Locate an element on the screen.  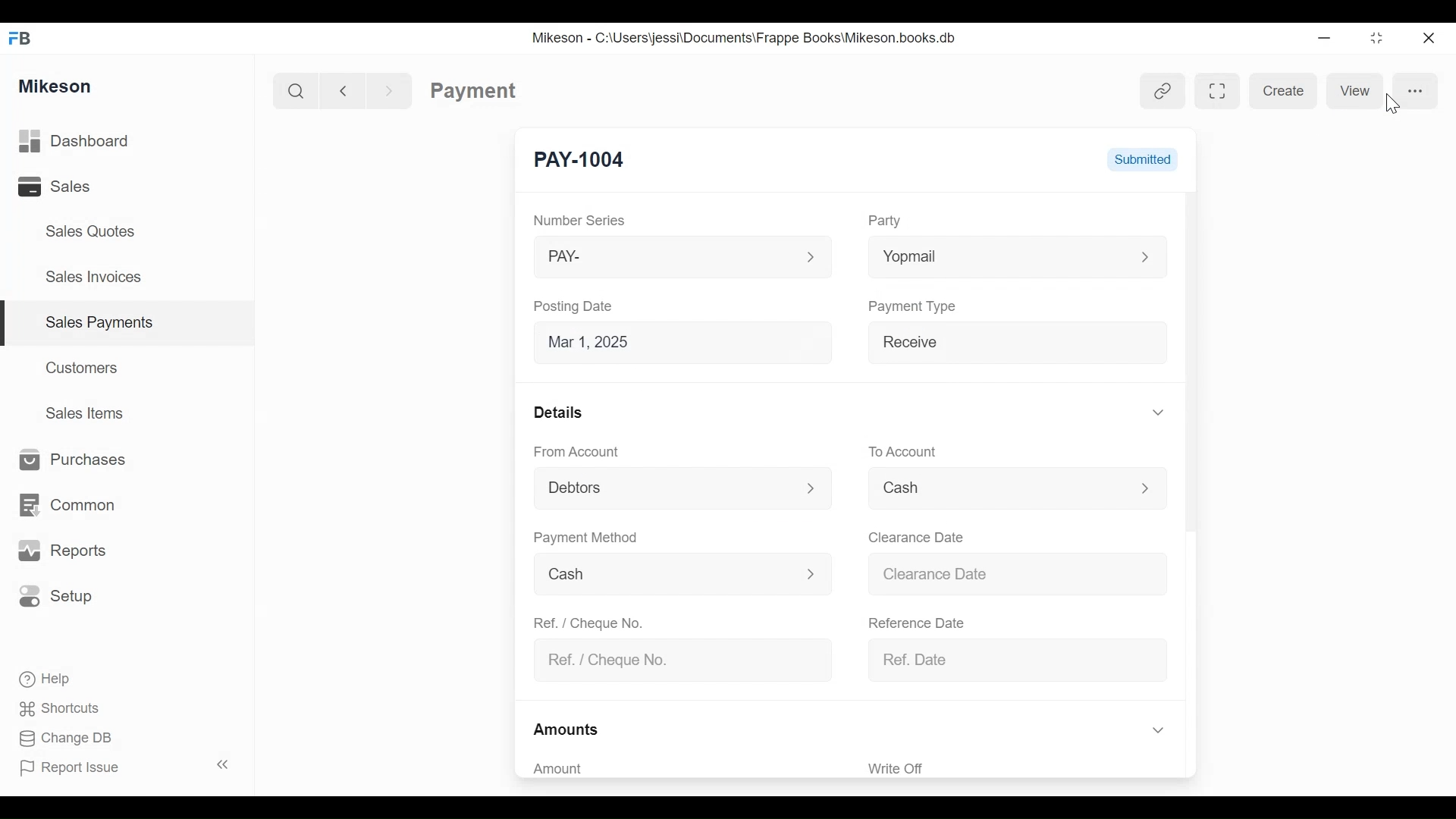
From Account is located at coordinates (580, 451).